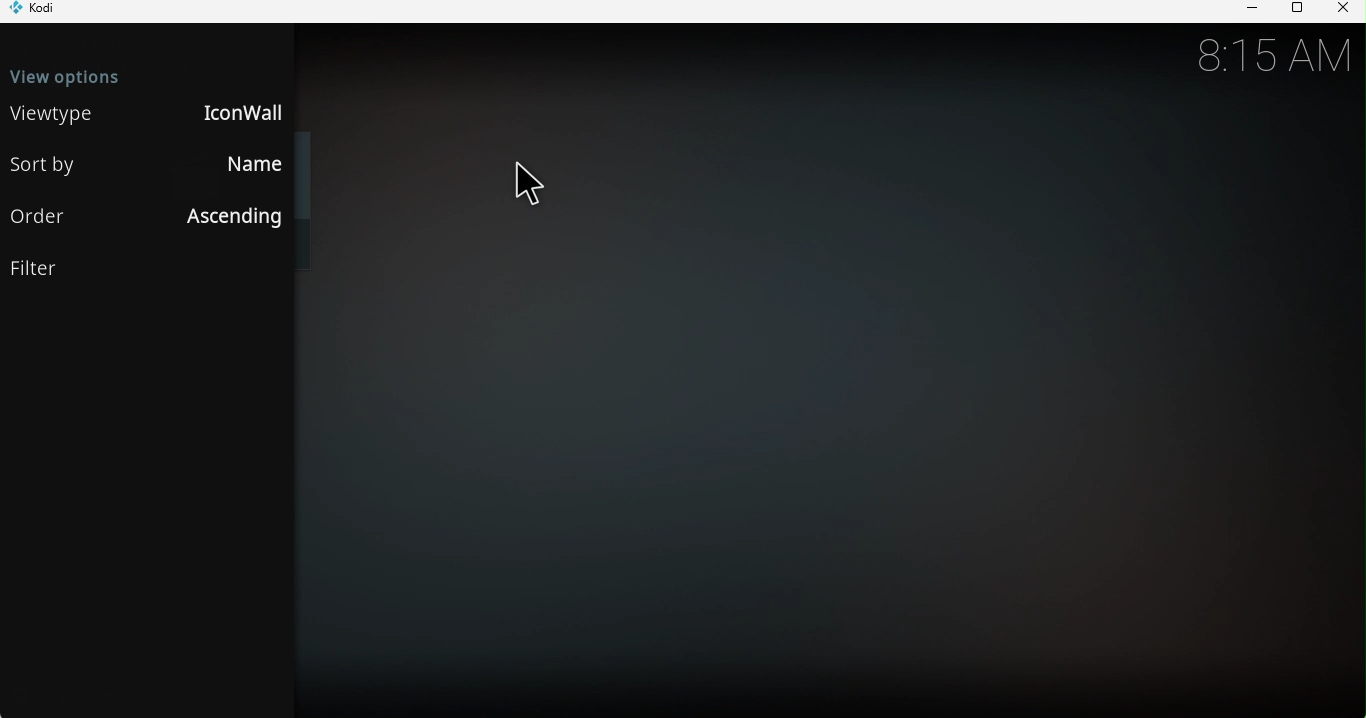 This screenshot has height=718, width=1366. Describe the element at coordinates (228, 219) in the screenshot. I see `Ascending` at that location.